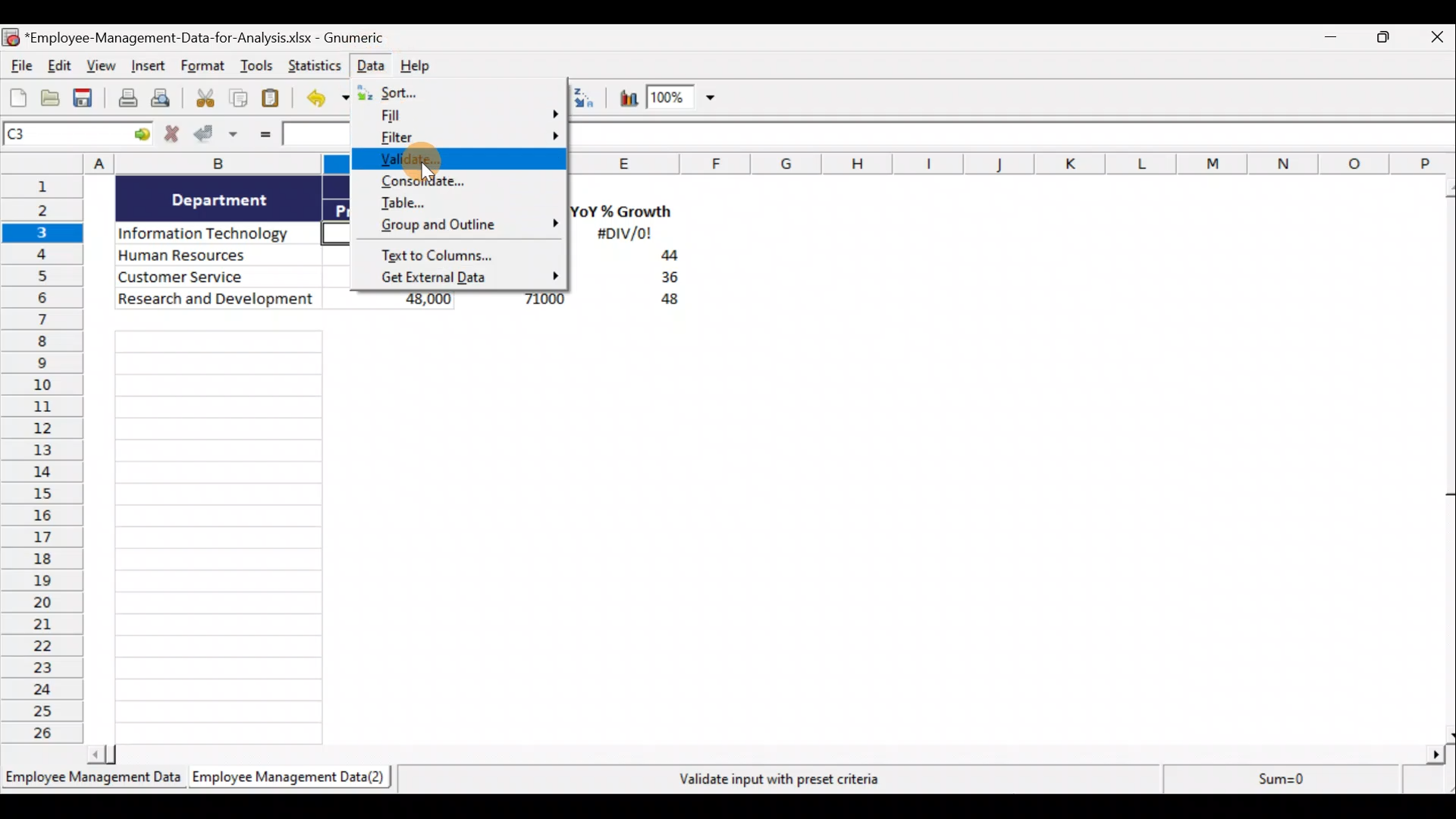  I want to click on Enter formula, so click(262, 136).